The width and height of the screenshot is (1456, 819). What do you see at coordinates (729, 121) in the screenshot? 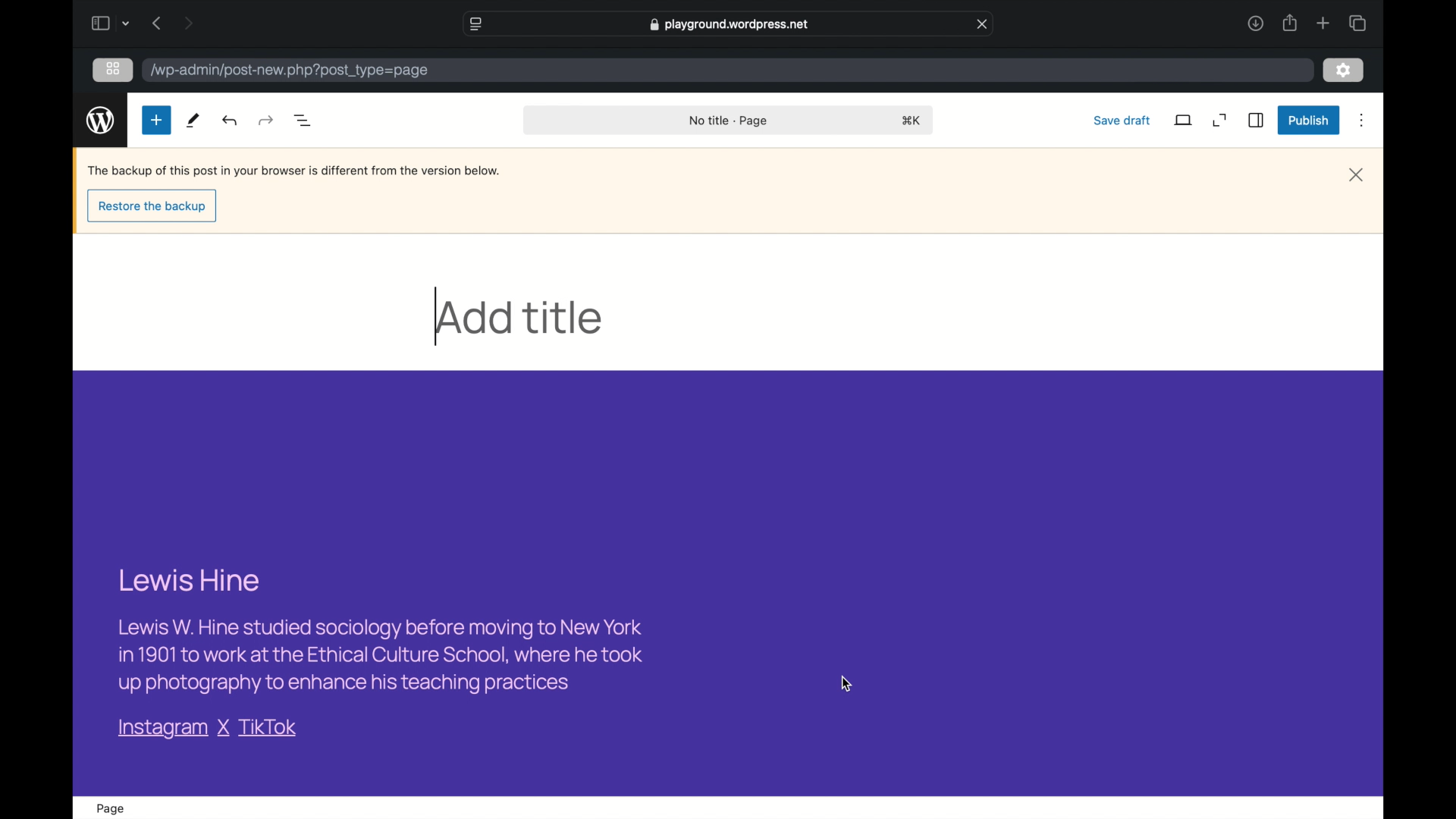
I see `no title - page` at bounding box center [729, 121].